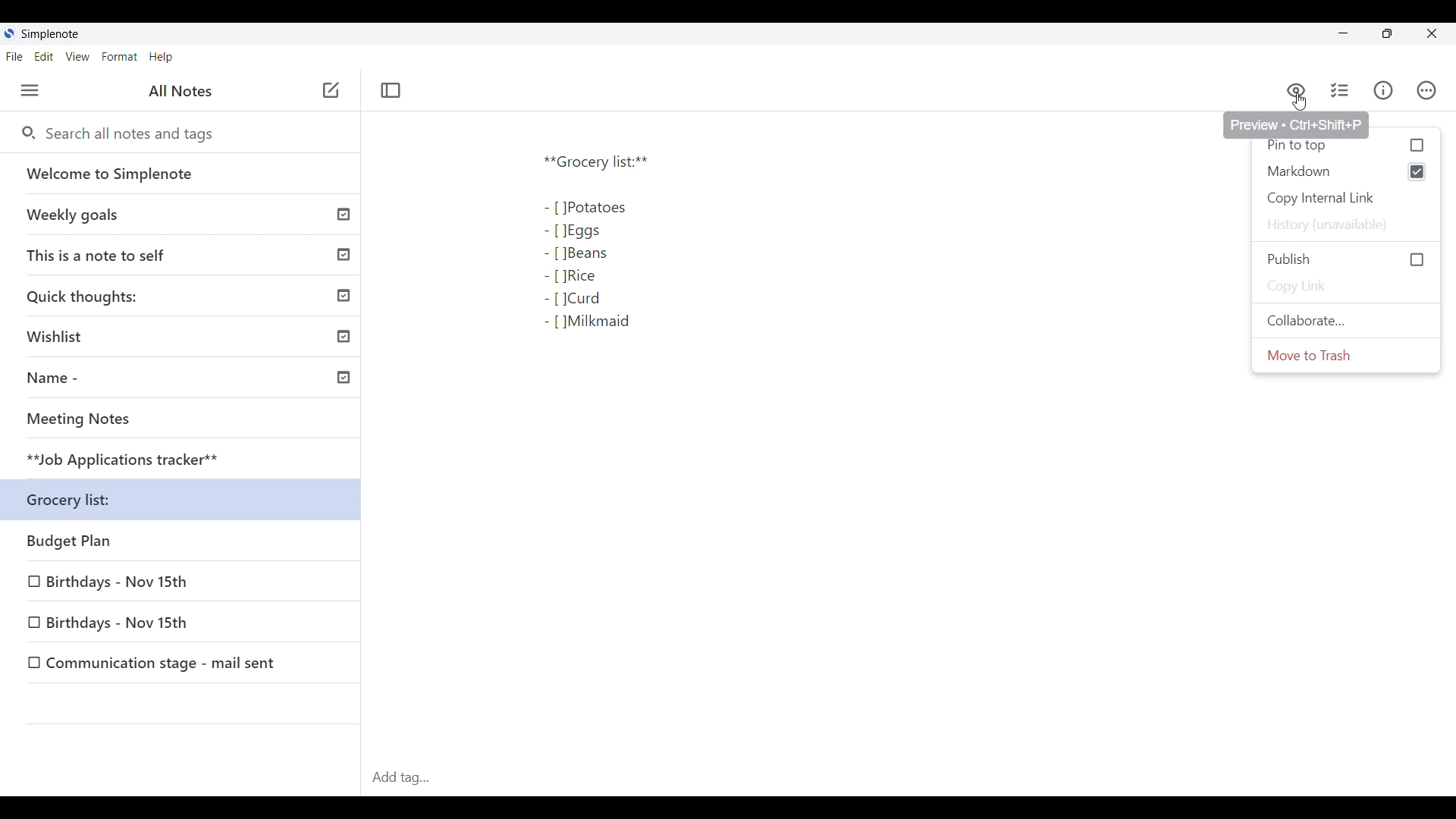 The height and width of the screenshot is (819, 1456). I want to click on Birthdays - Nov 15th, so click(182, 584).